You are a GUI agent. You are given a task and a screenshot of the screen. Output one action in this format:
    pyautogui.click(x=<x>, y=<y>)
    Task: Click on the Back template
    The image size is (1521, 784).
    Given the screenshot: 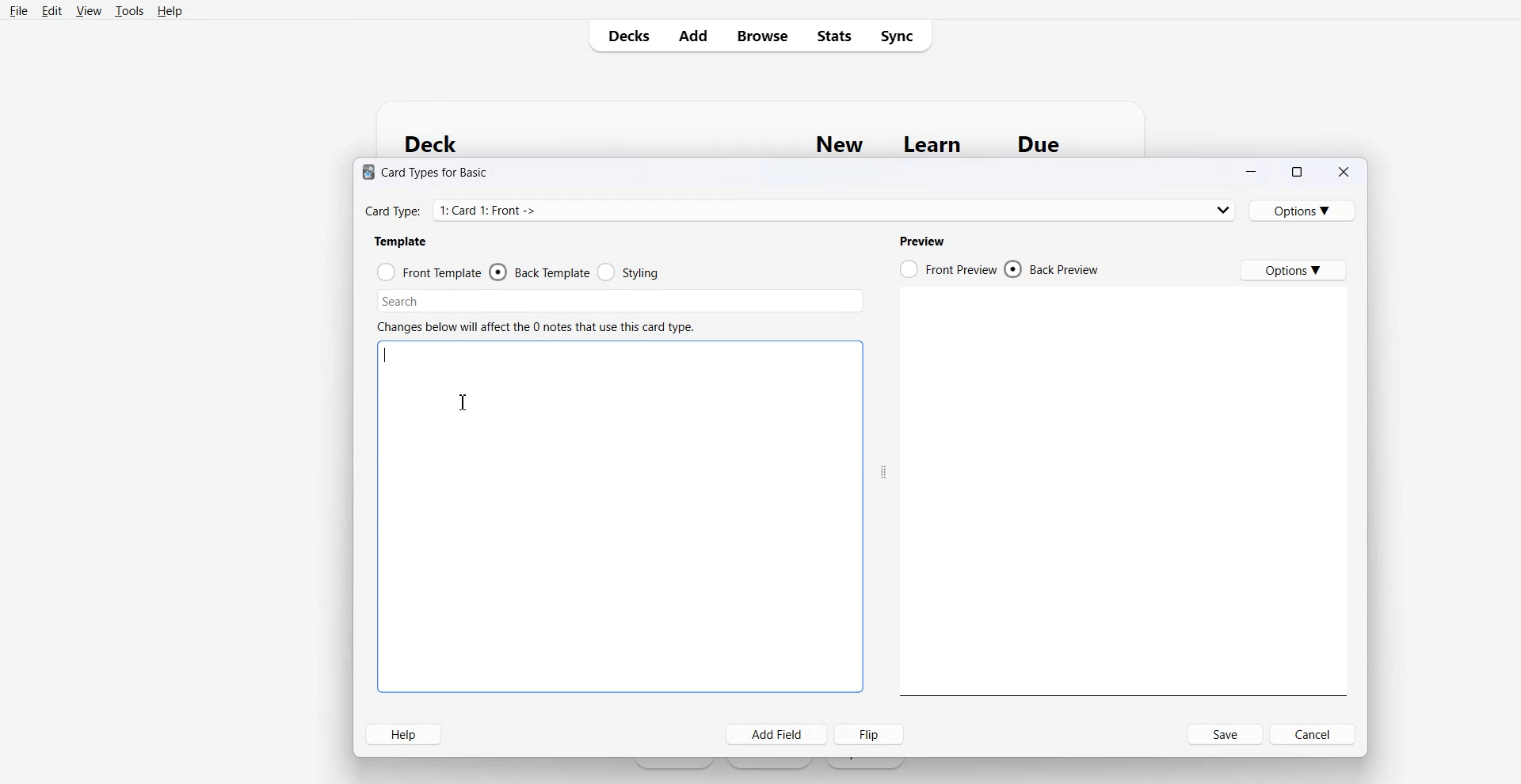 What is the action you would take?
    pyautogui.click(x=540, y=272)
    